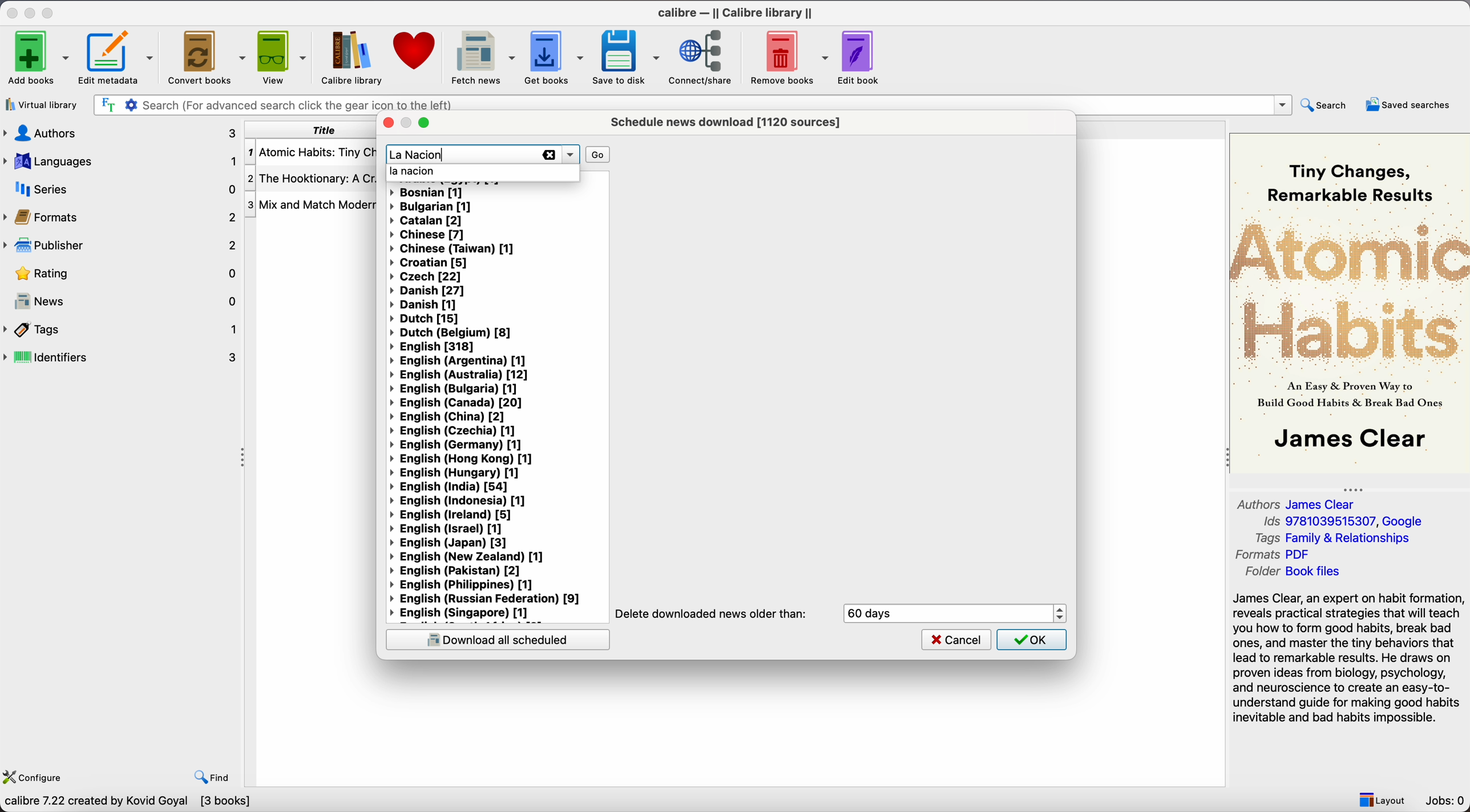 This screenshot has width=1470, height=812. What do you see at coordinates (712, 614) in the screenshot?
I see `Delete downloads news older than:` at bounding box center [712, 614].